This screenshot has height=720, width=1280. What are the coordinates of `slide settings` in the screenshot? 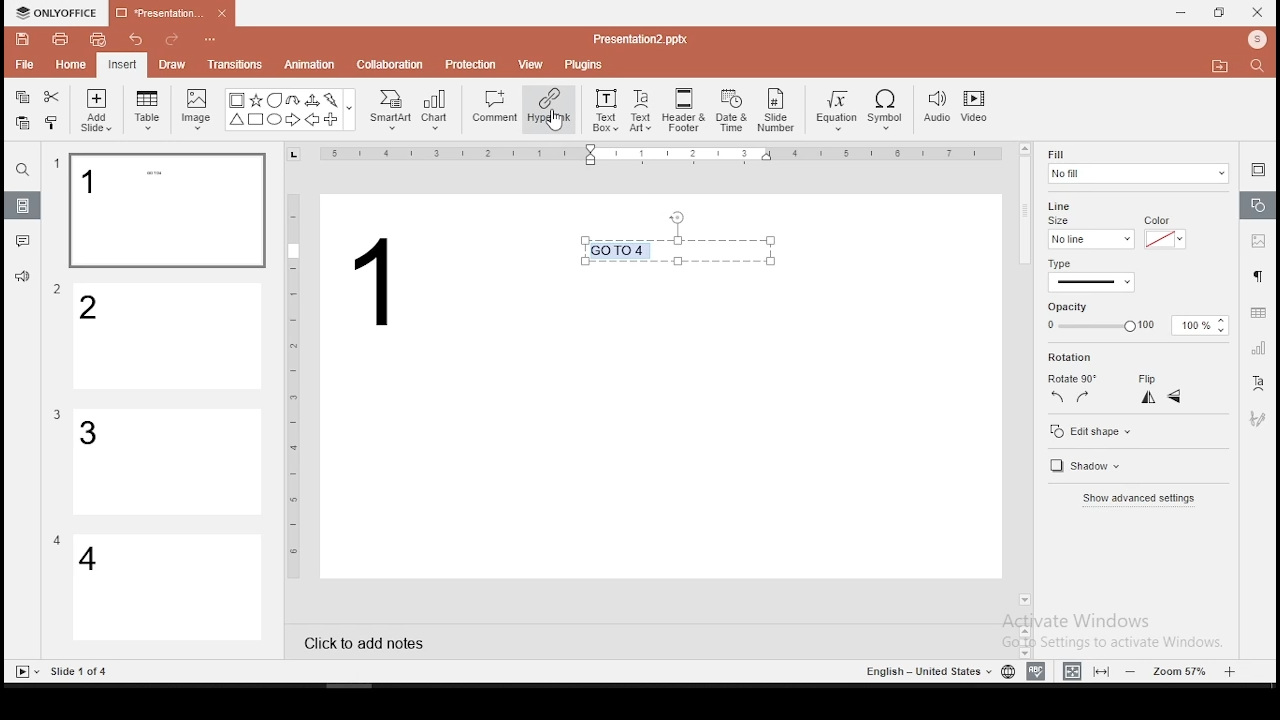 It's located at (1258, 169).